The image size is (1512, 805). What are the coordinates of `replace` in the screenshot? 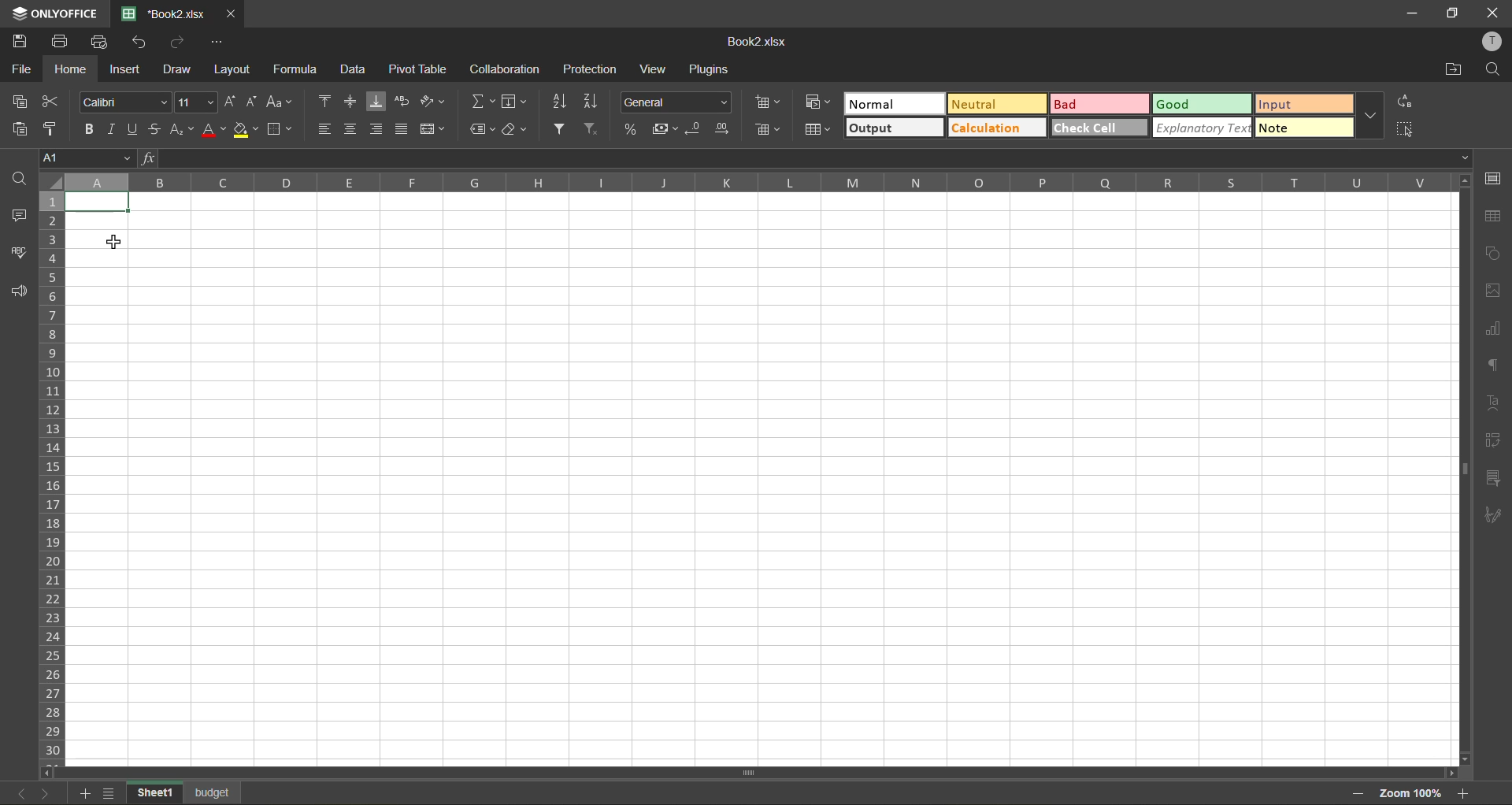 It's located at (1404, 102).